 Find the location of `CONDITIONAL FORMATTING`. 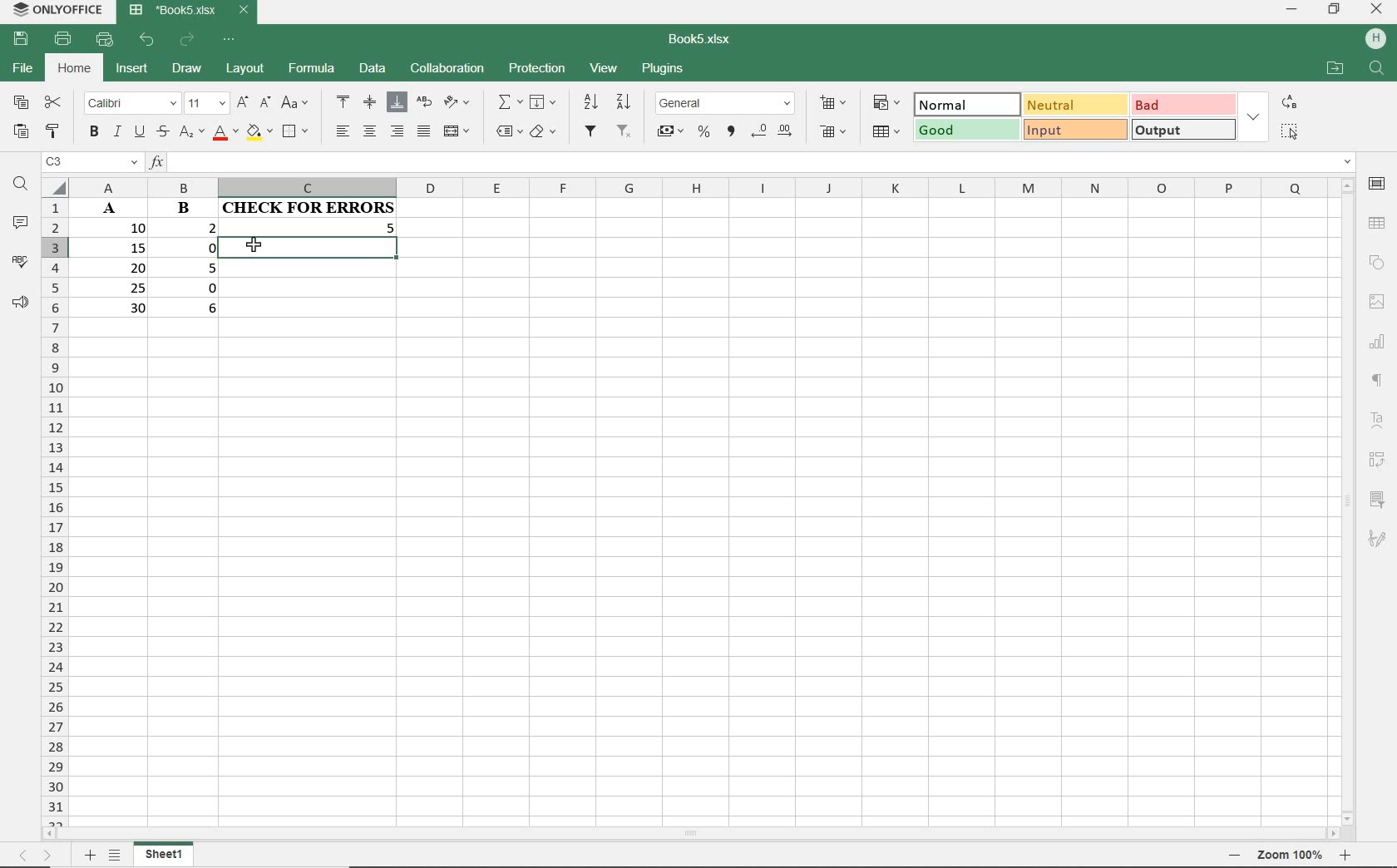

CONDITIONAL FORMATTING is located at coordinates (886, 104).